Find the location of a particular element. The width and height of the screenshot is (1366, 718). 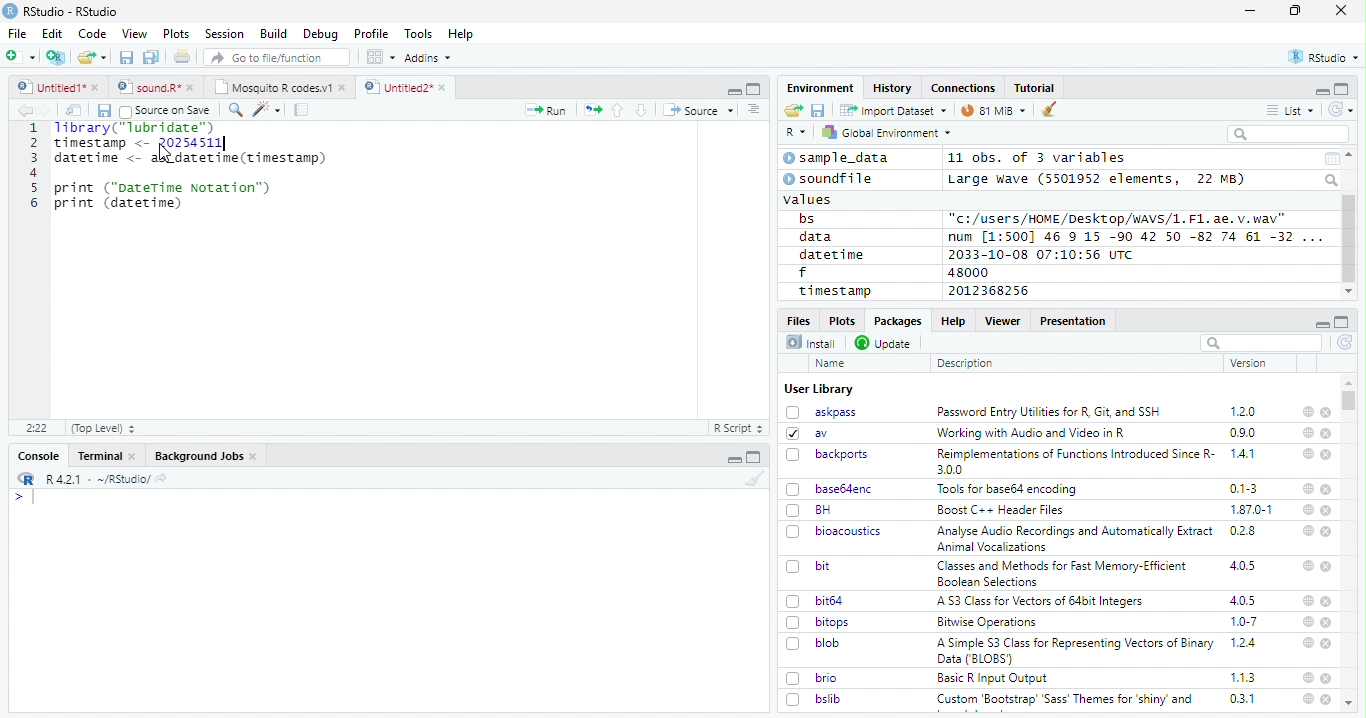

View is located at coordinates (135, 34).